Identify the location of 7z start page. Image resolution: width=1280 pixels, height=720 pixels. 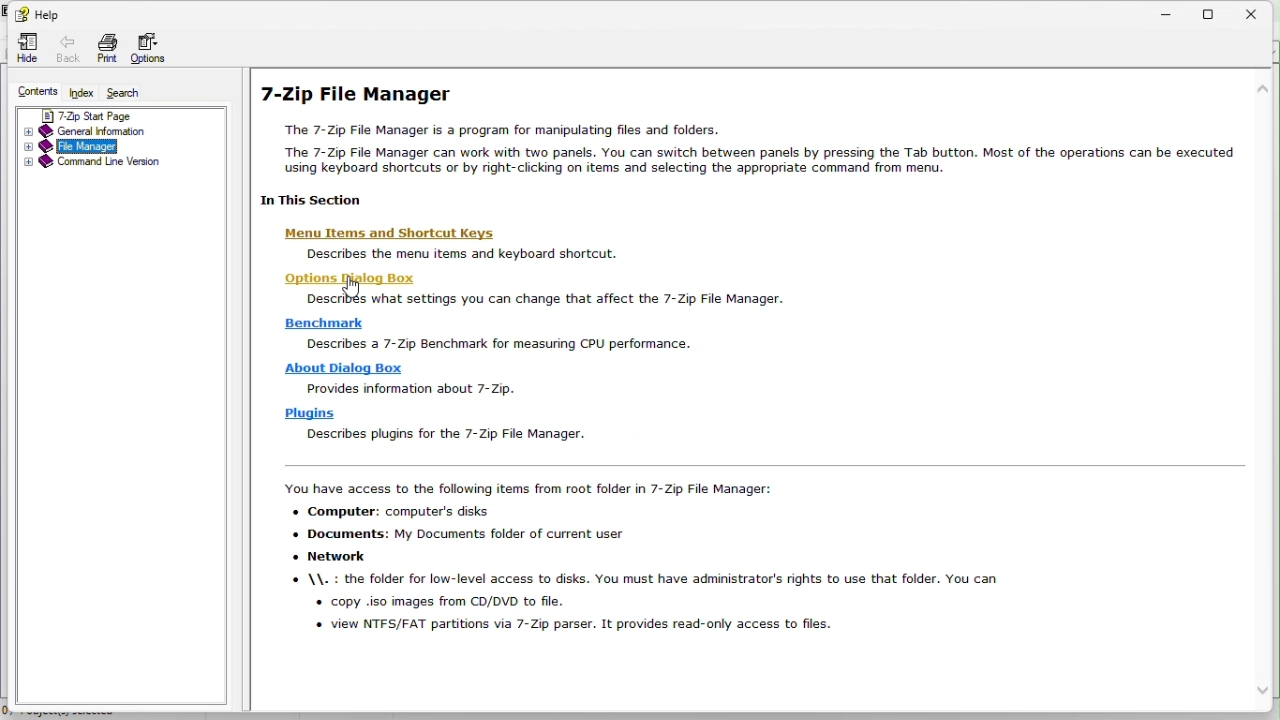
(103, 116).